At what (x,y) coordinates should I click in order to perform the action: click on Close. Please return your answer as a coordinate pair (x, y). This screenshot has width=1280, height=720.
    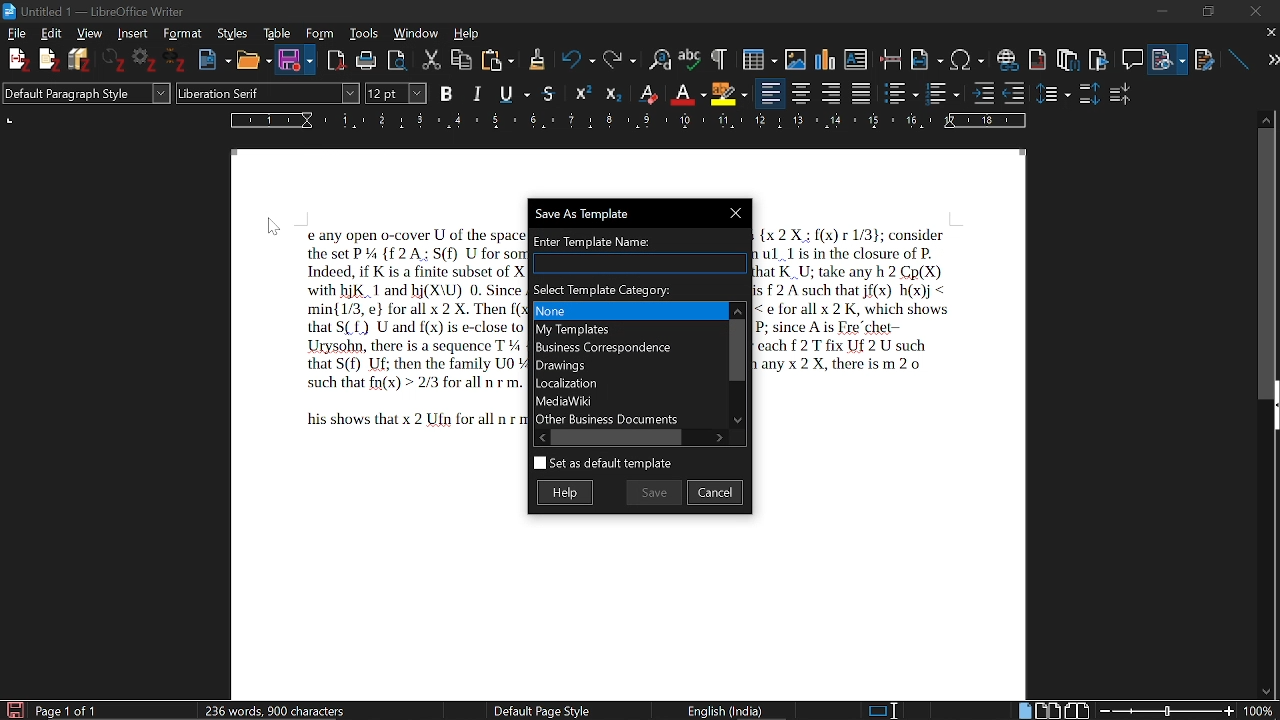
    Looking at the image, I should click on (739, 213).